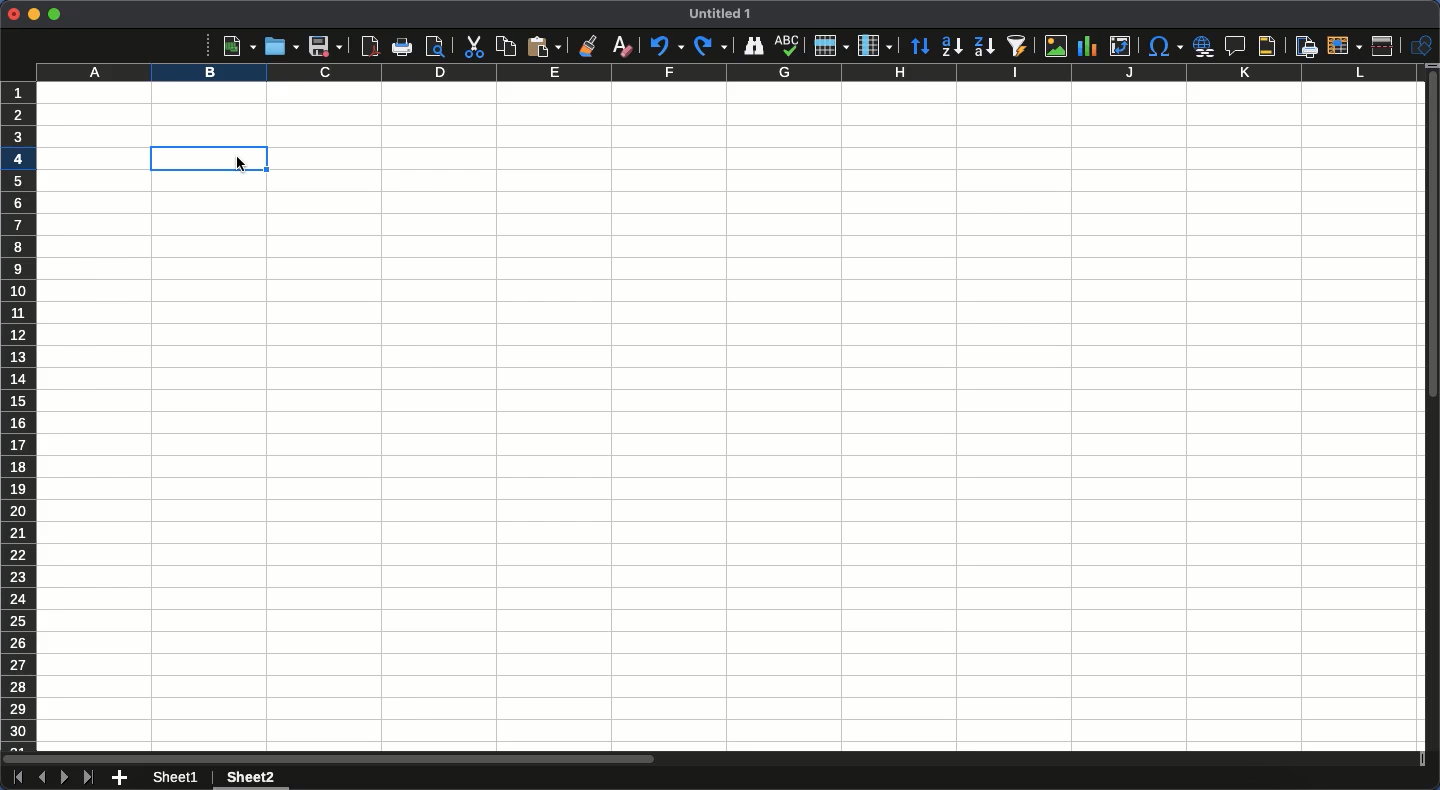 The image size is (1440, 790). I want to click on Finder, so click(751, 46).